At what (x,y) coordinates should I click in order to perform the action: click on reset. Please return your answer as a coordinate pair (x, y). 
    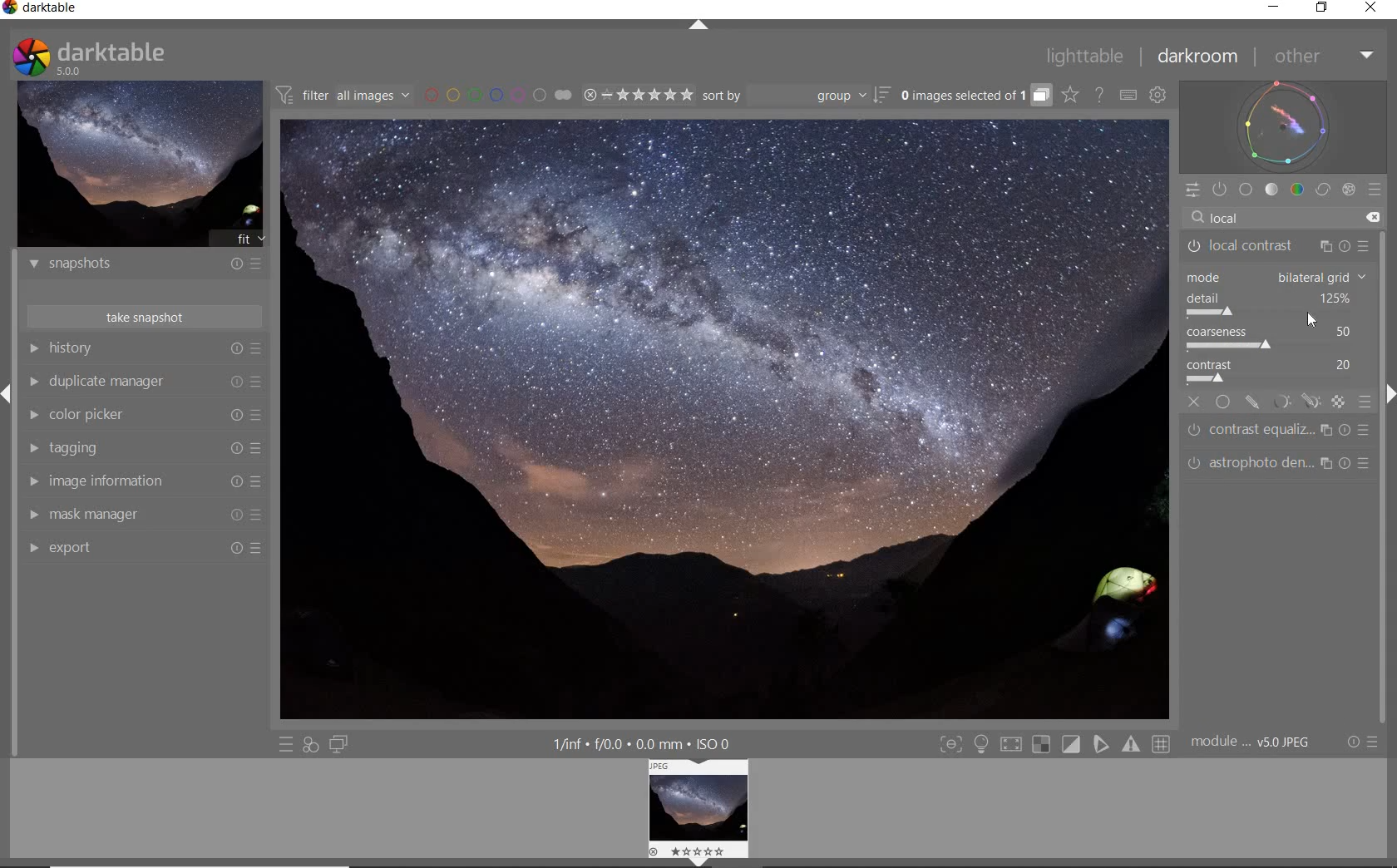
    Looking at the image, I should click on (235, 349).